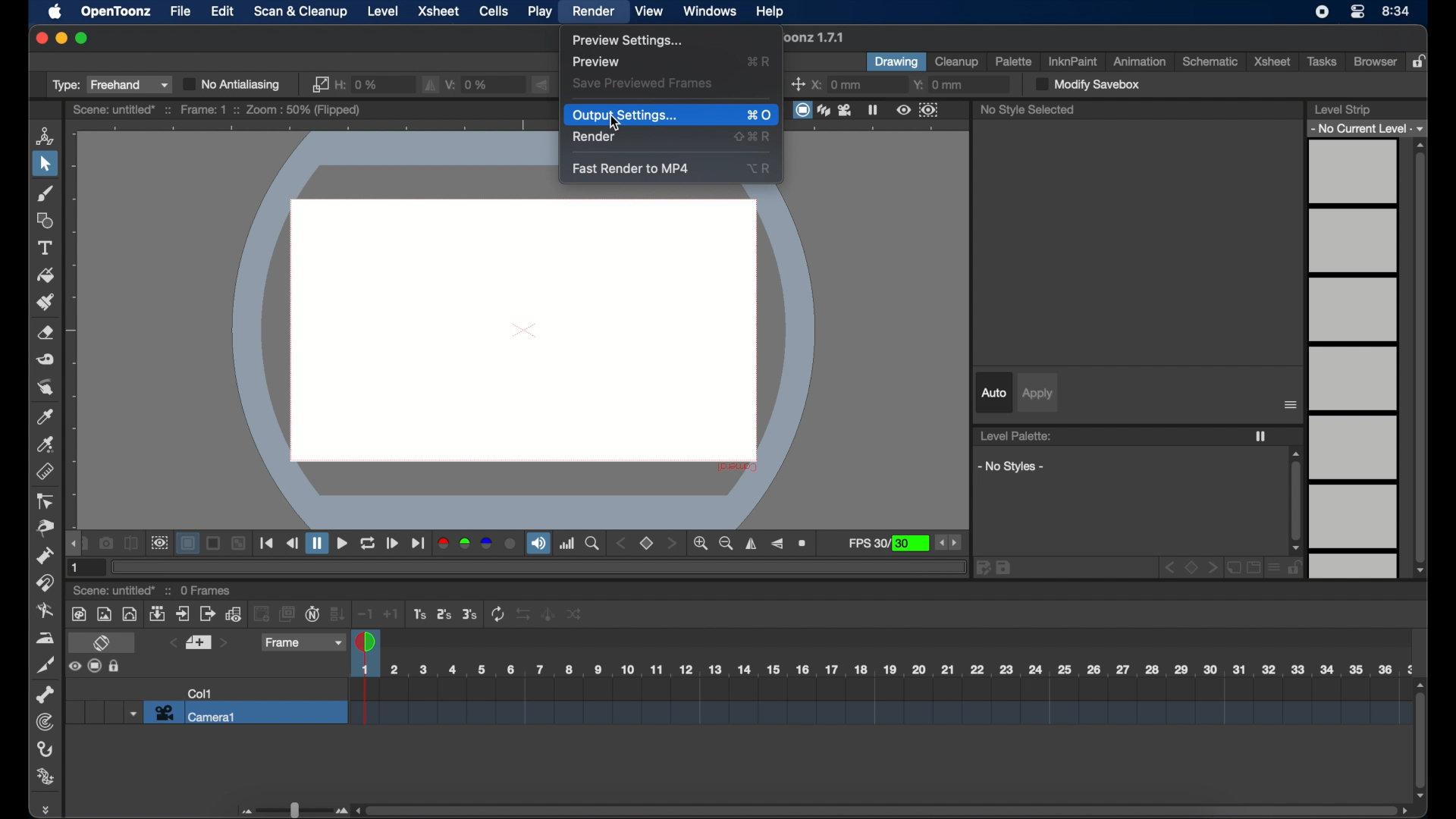 The width and height of the screenshot is (1456, 819). Describe the element at coordinates (46, 248) in the screenshot. I see `type tool` at that location.